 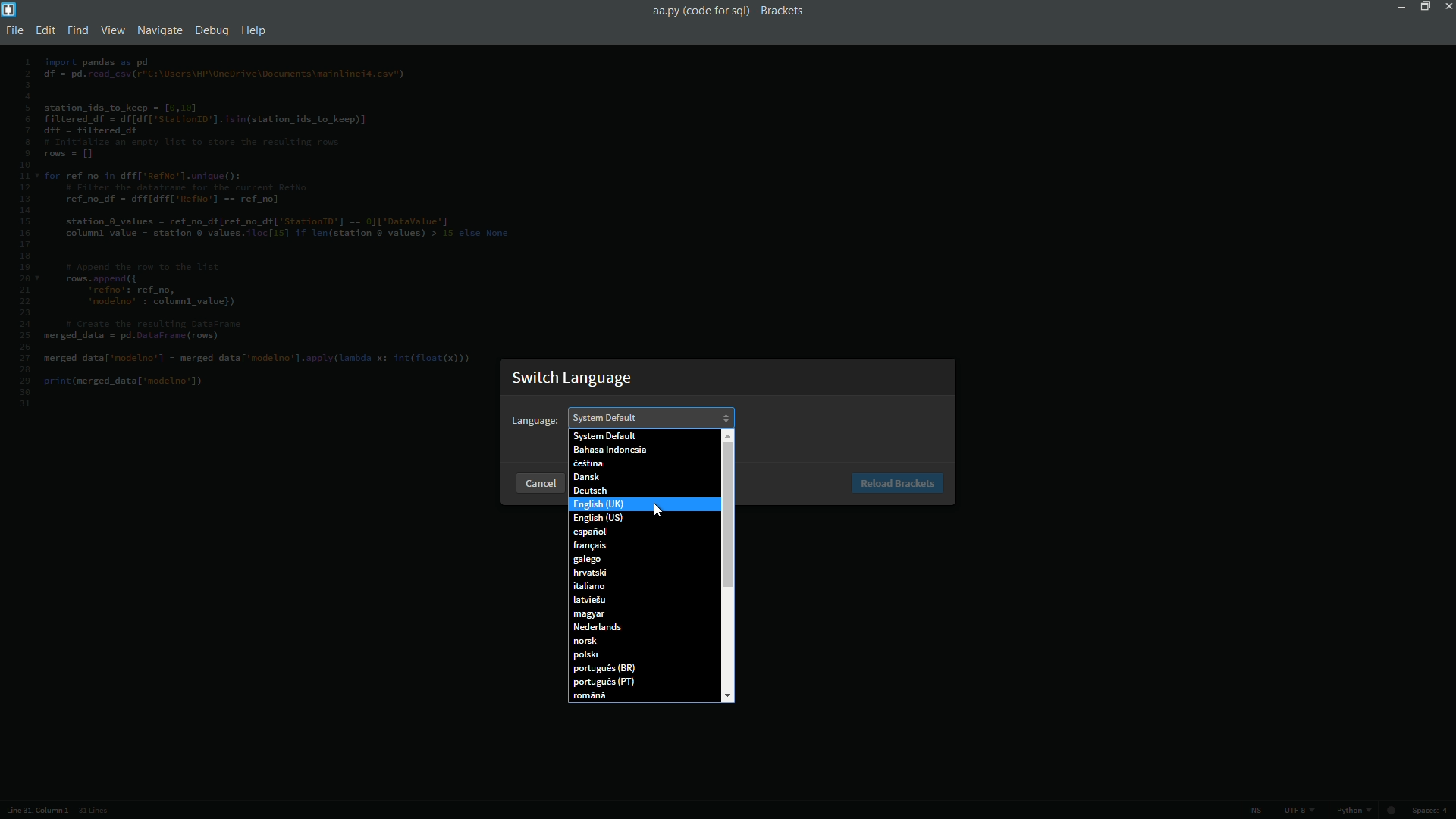 What do you see at coordinates (78, 31) in the screenshot?
I see `find menu` at bounding box center [78, 31].